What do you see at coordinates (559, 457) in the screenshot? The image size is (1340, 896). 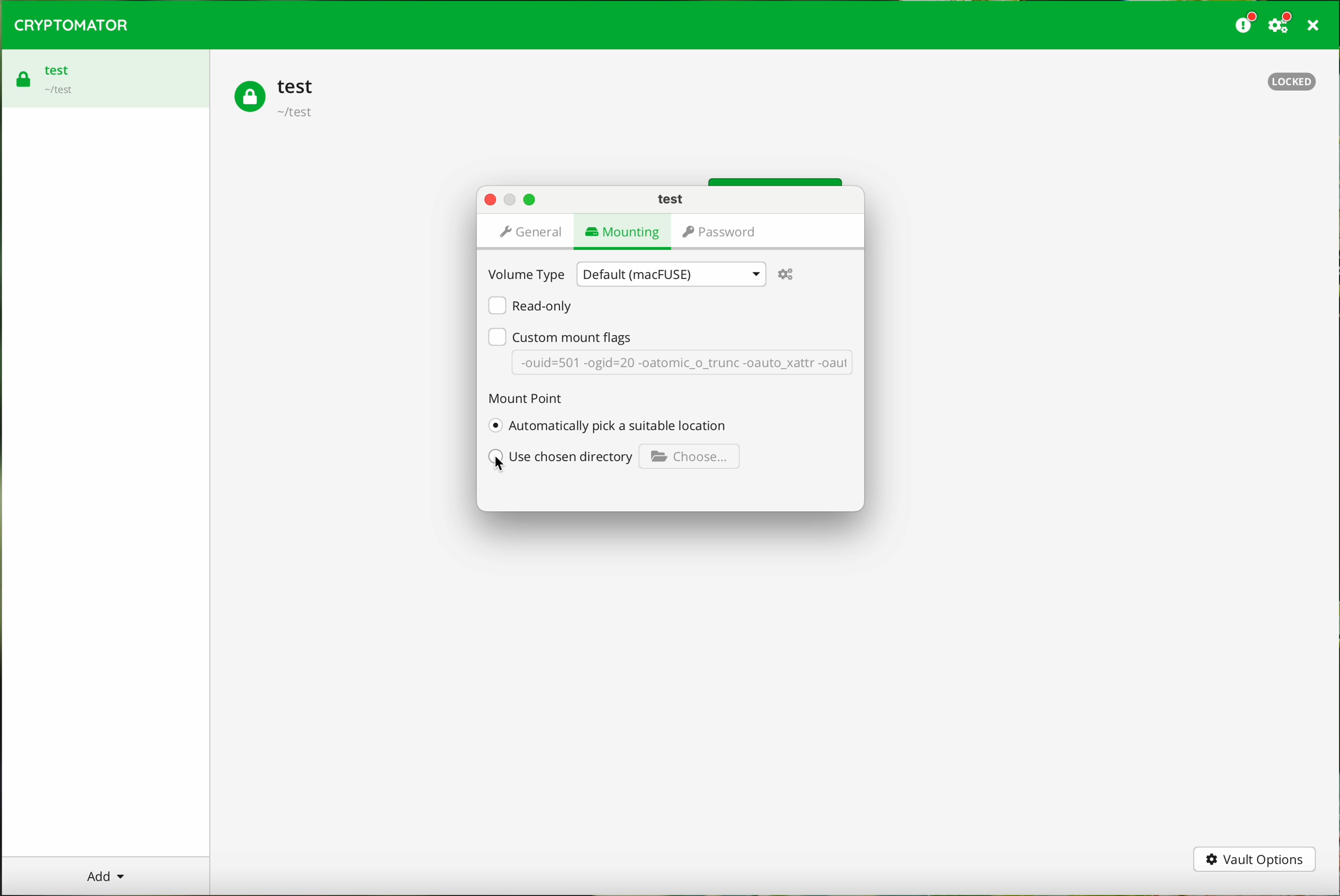 I see `use chosen directory` at bounding box center [559, 457].